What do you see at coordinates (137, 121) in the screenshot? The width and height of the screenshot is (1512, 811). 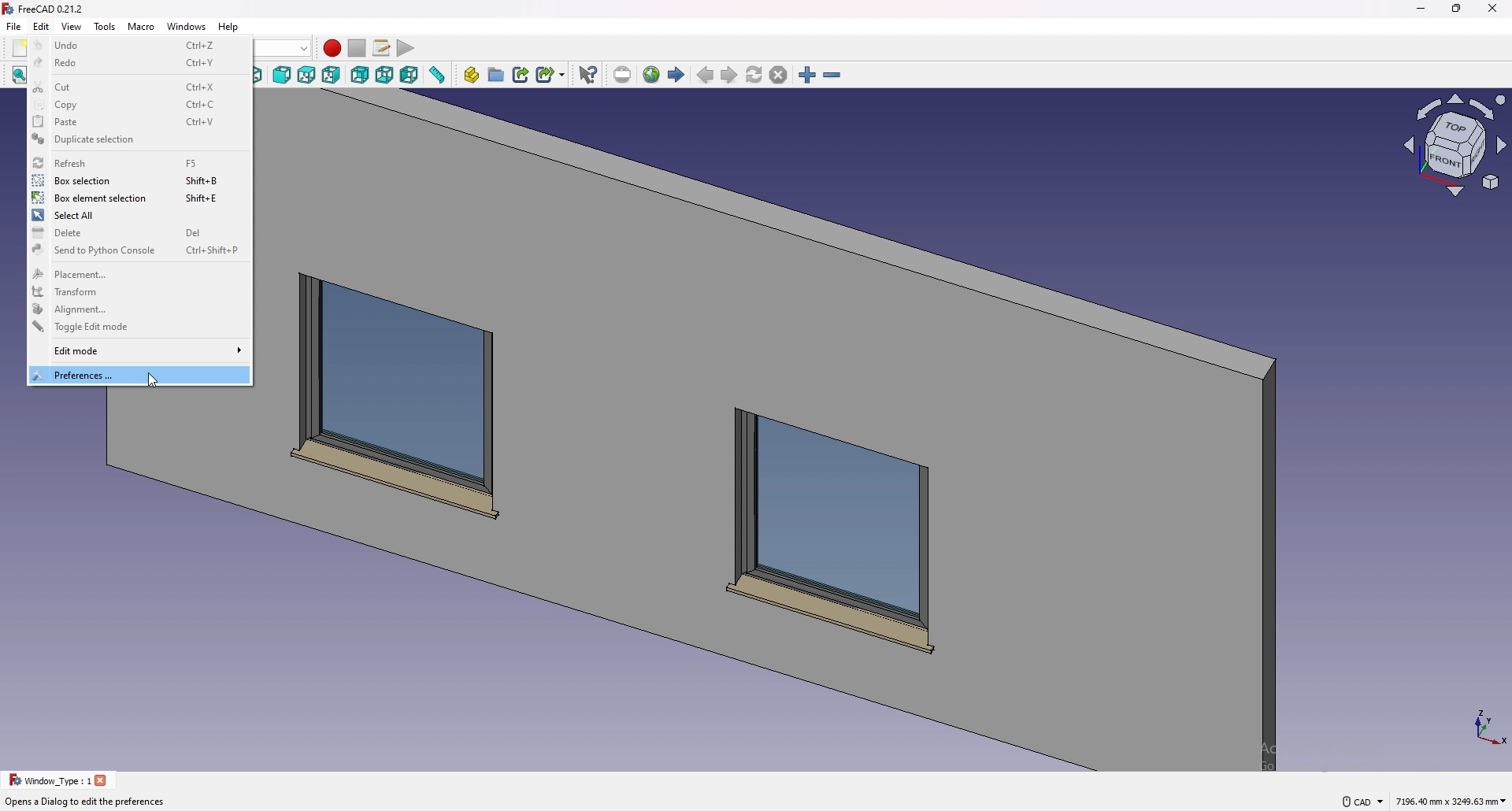 I see `paste  Ctrl+V` at bounding box center [137, 121].